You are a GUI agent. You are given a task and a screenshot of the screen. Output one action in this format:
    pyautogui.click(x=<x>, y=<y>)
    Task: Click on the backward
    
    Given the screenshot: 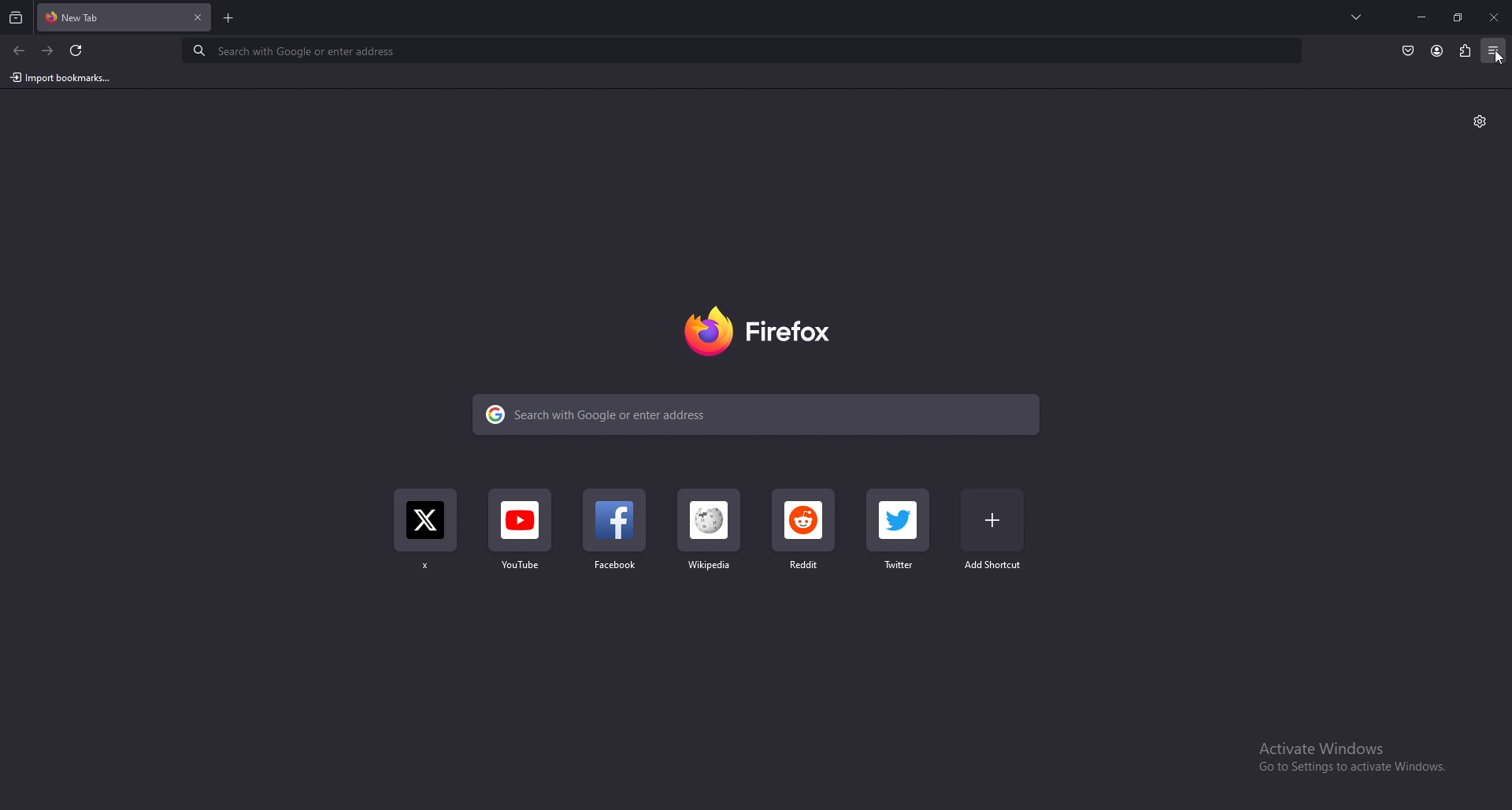 What is the action you would take?
    pyautogui.click(x=20, y=51)
    